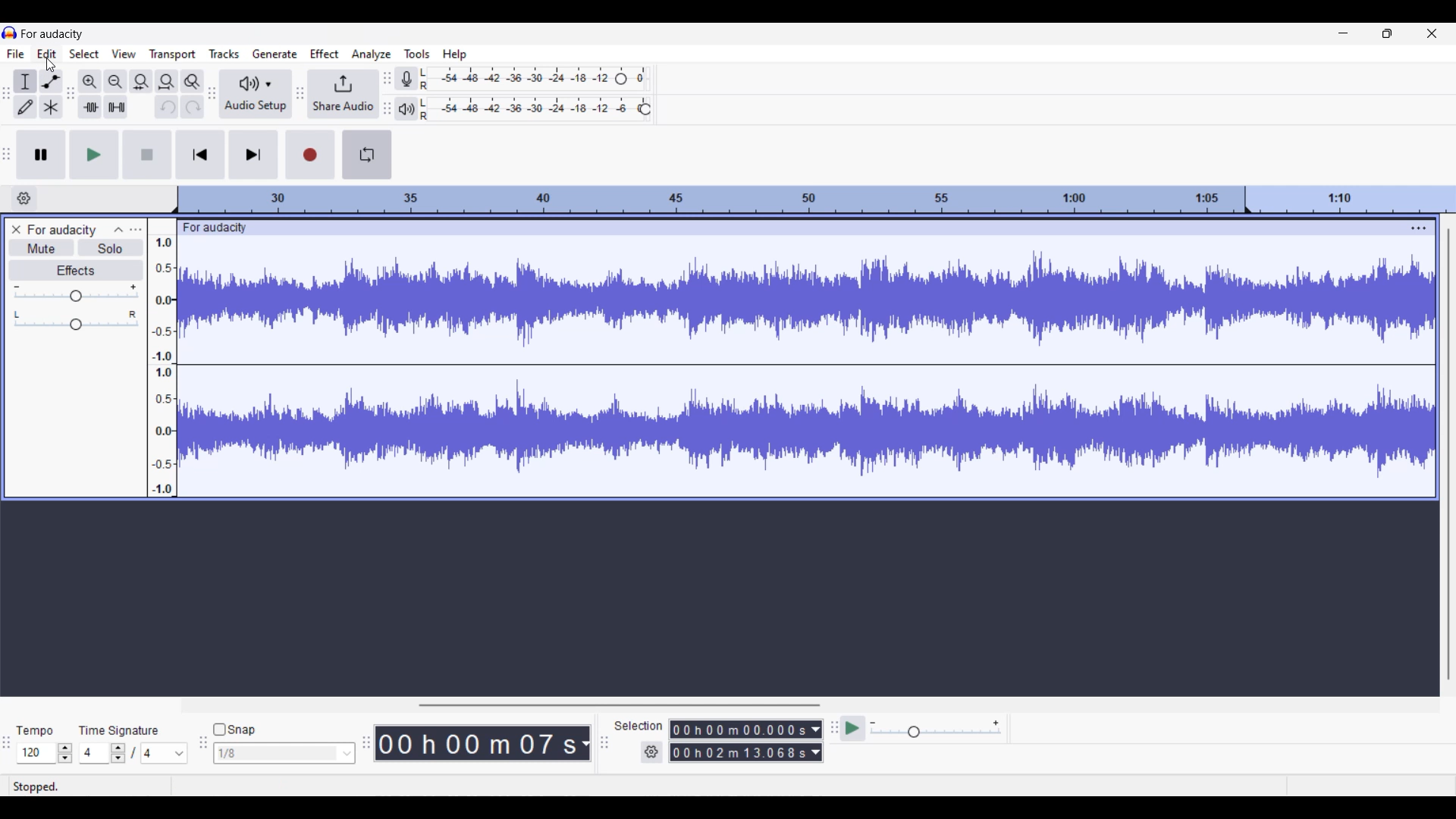 The width and height of the screenshot is (1456, 819). Describe the element at coordinates (652, 752) in the screenshot. I see `Selection settings` at that location.